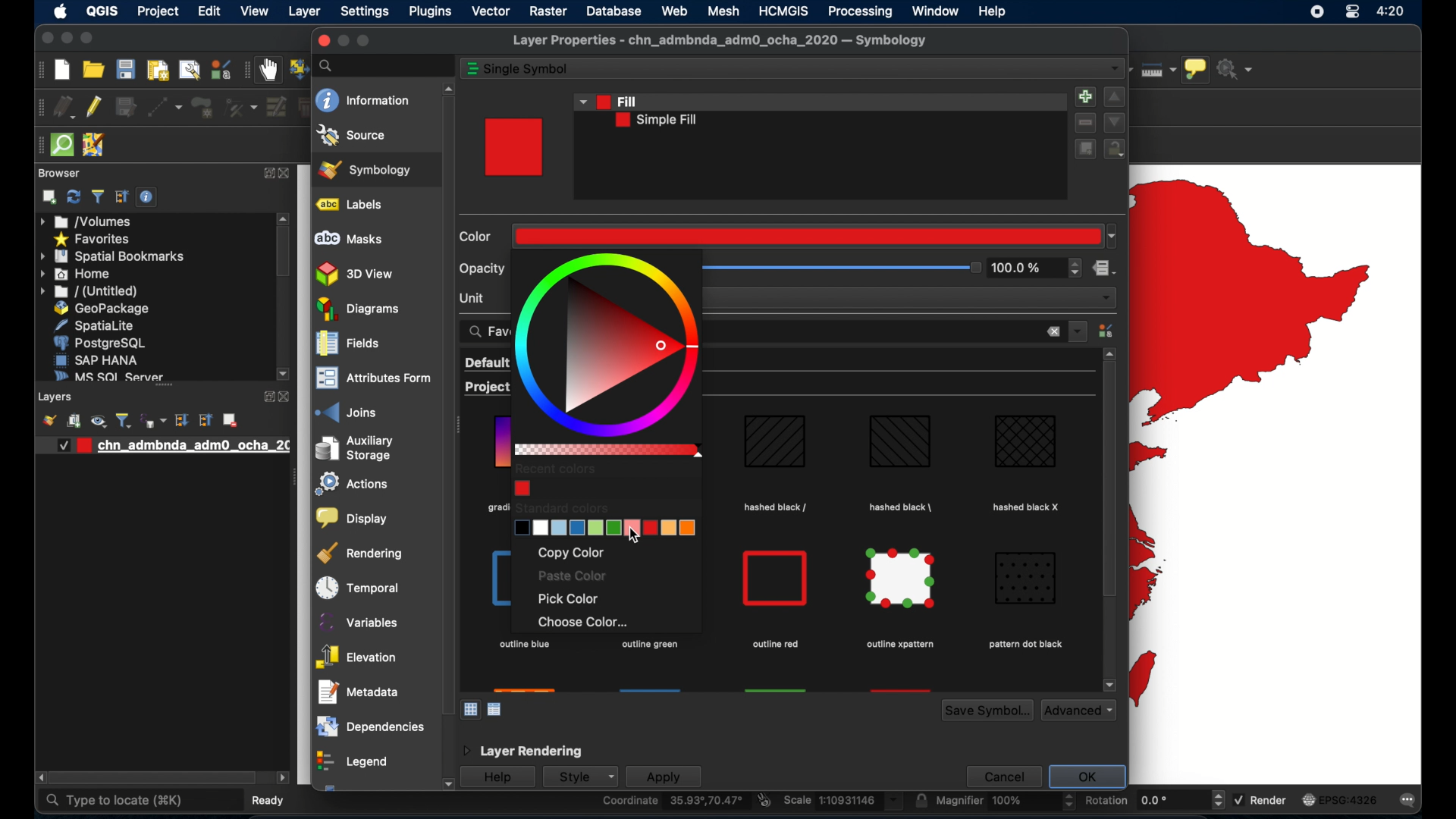 This screenshot has width=1456, height=819. Describe the element at coordinates (548, 13) in the screenshot. I see `raster` at that location.